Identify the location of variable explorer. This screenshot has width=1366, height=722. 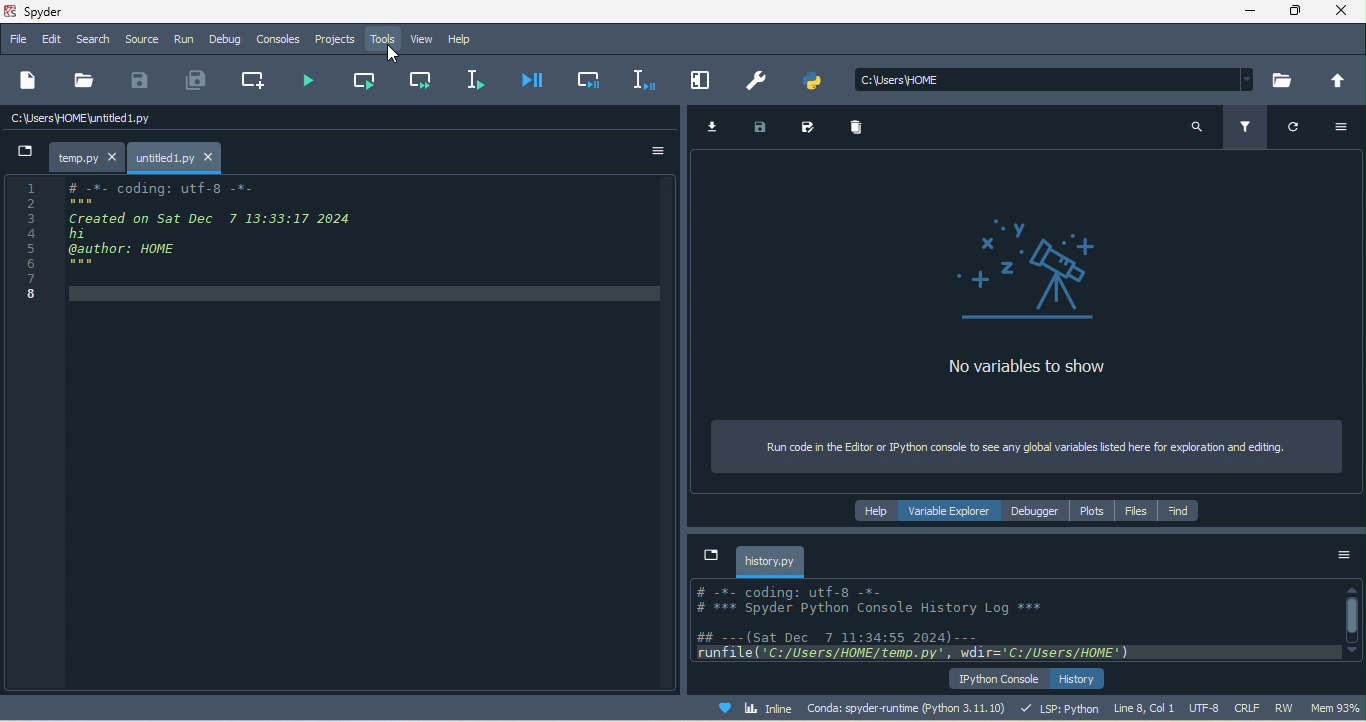
(953, 509).